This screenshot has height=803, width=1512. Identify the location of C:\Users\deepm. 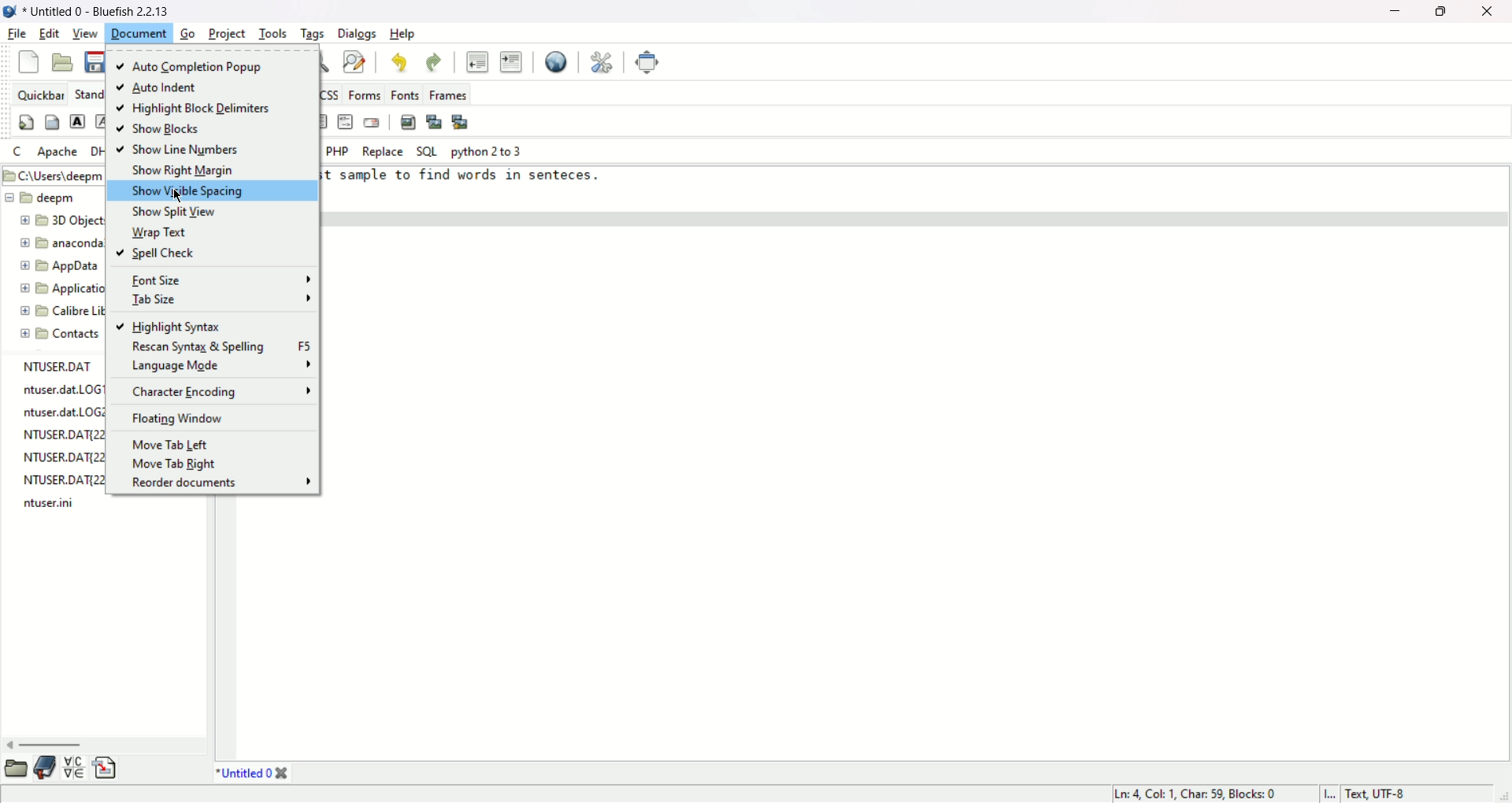
(53, 176).